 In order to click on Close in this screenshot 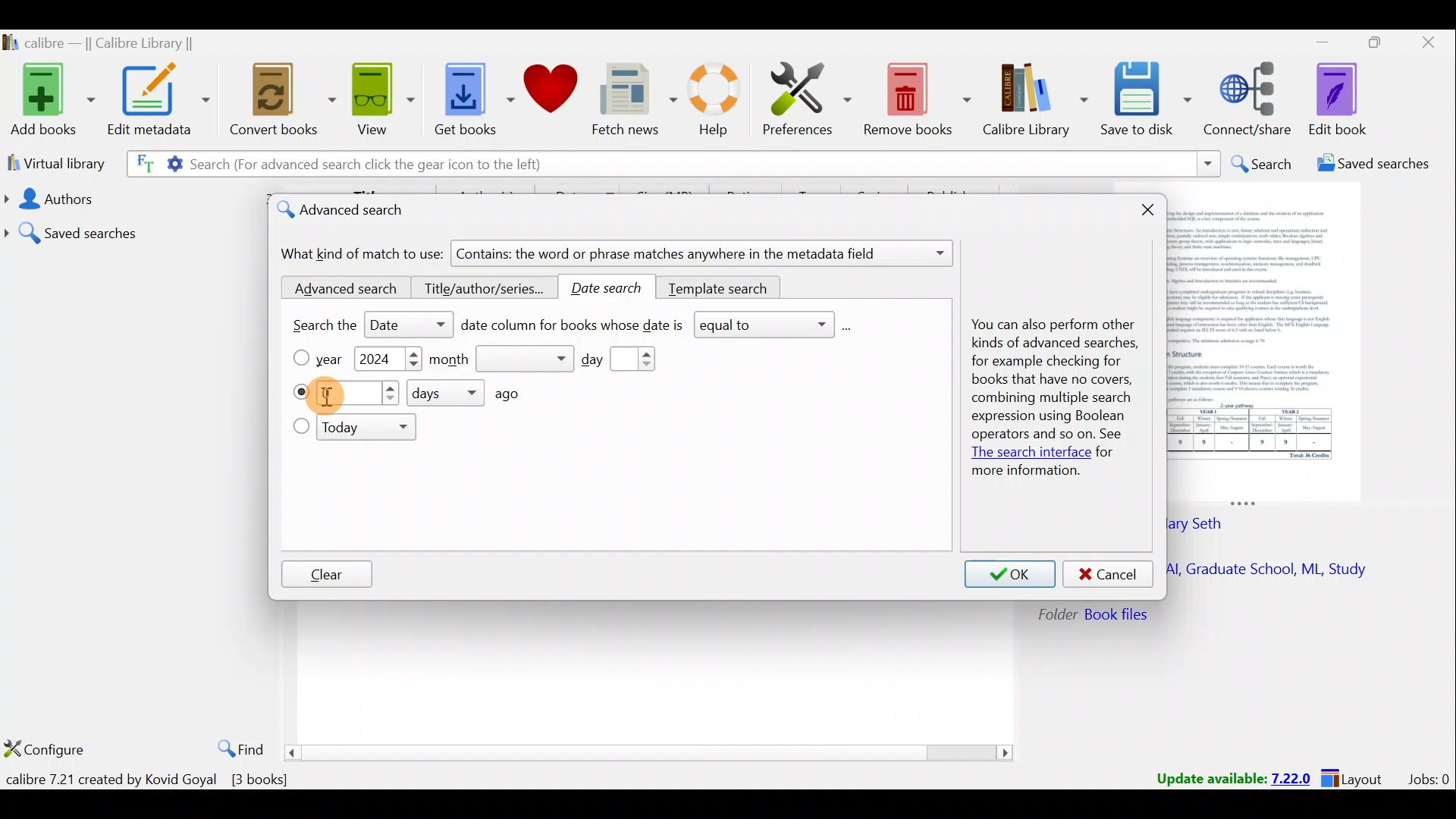, I will do `click(1151, 212)`.